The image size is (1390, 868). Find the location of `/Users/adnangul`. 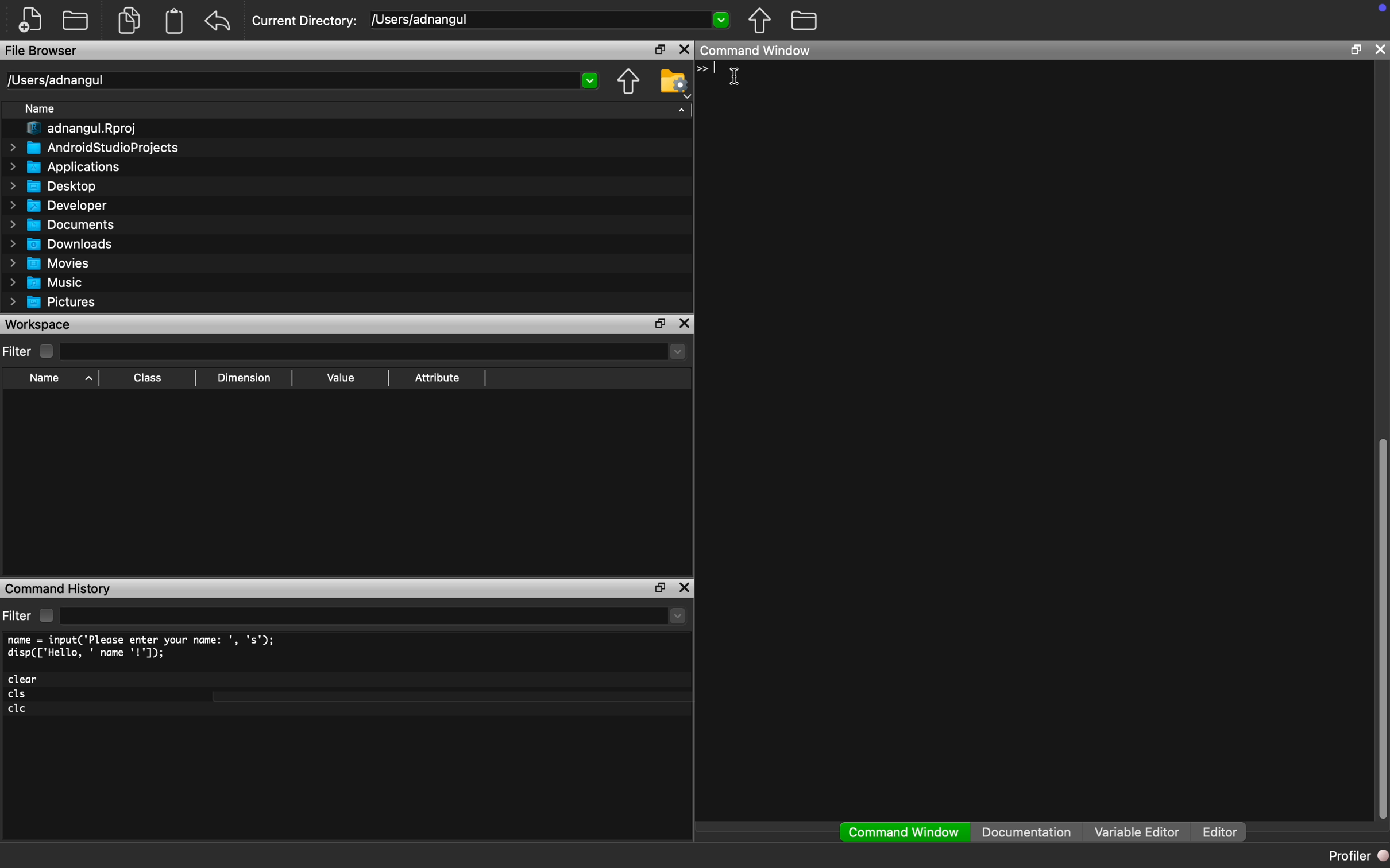

/Users/adnangul is located at coordinates (422, 19).